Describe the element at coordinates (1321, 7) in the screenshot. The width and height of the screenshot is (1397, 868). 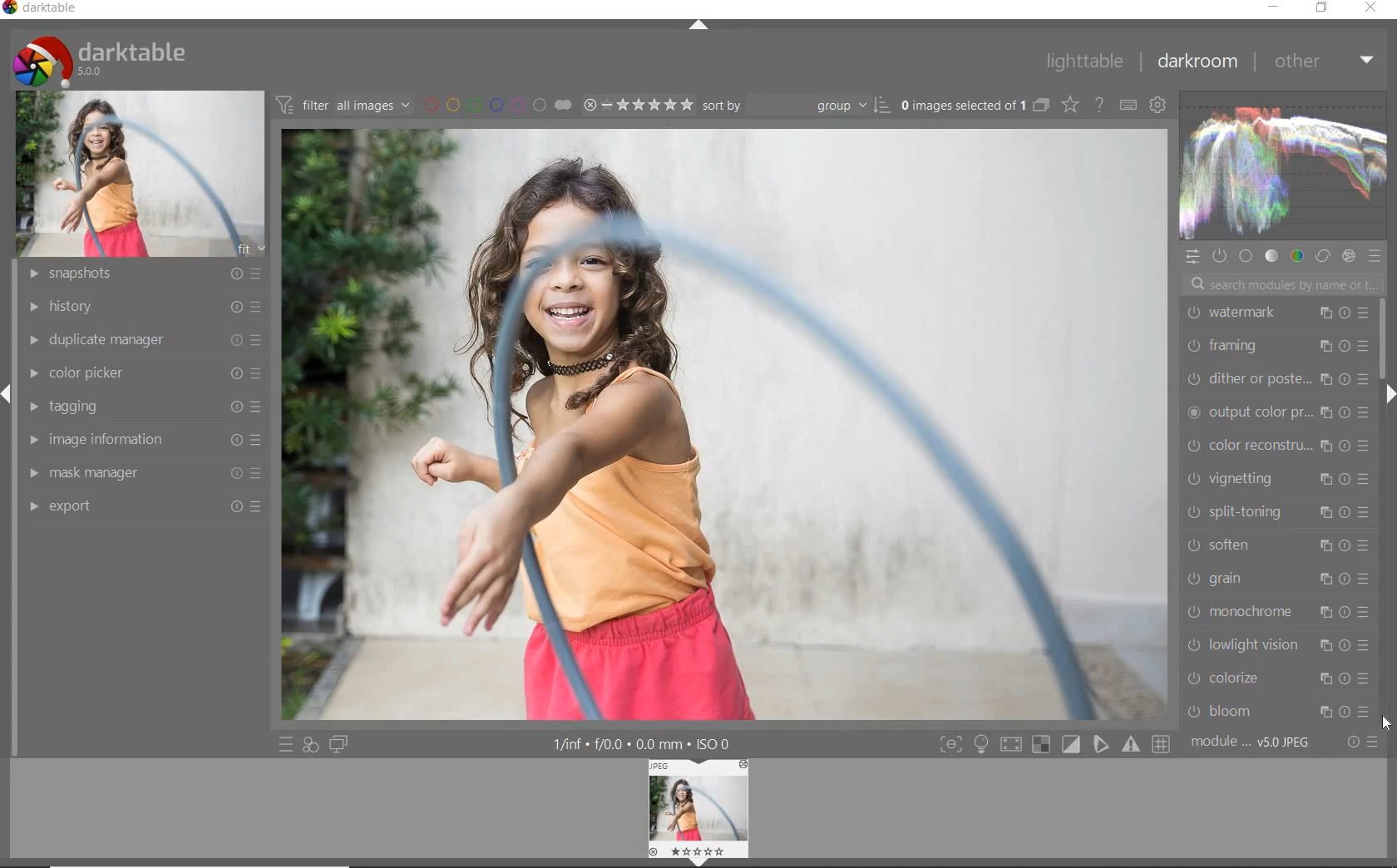
I see `restore` at that location.